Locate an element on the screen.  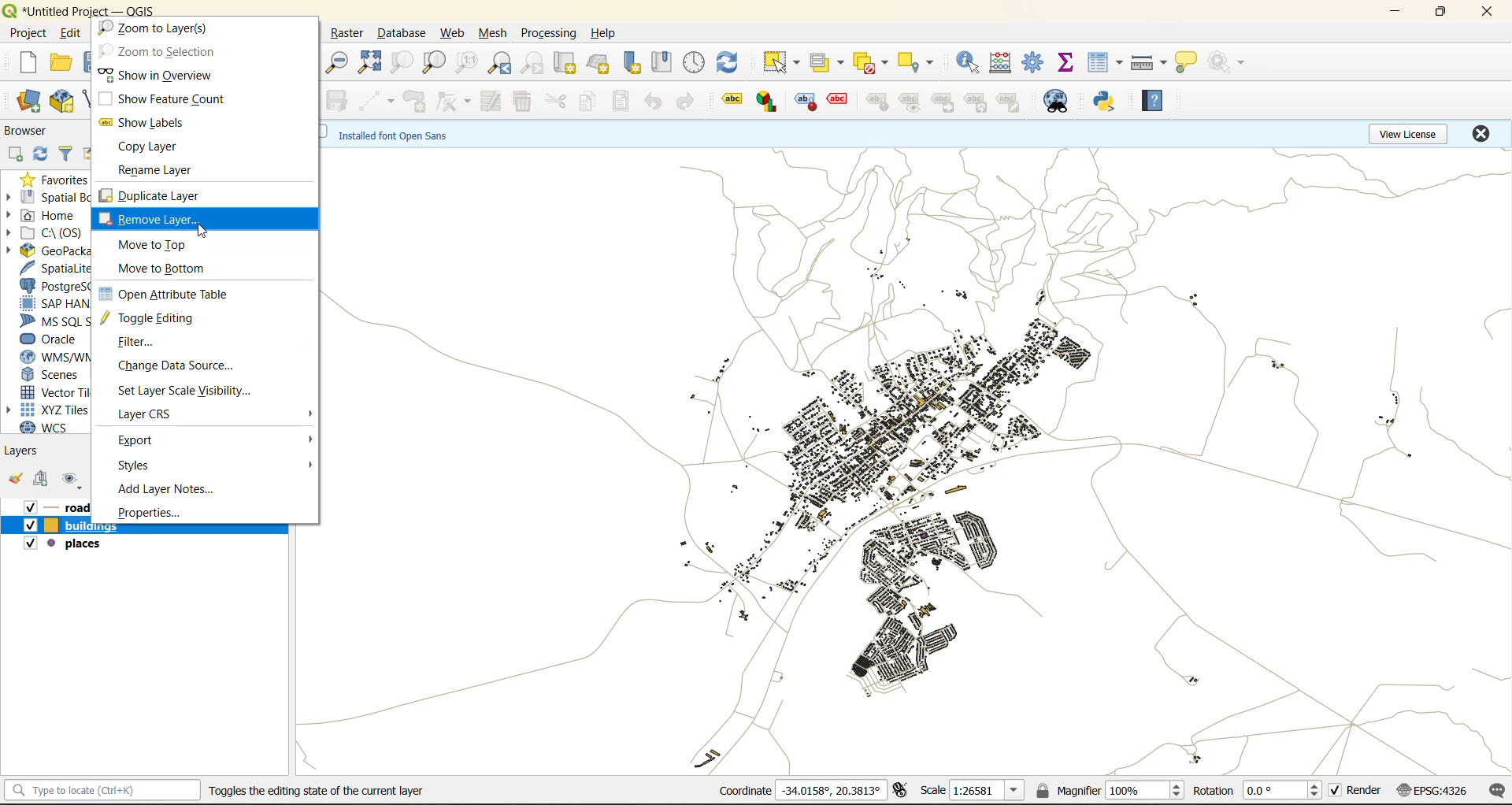
layers is located at coordinates (915, 459).